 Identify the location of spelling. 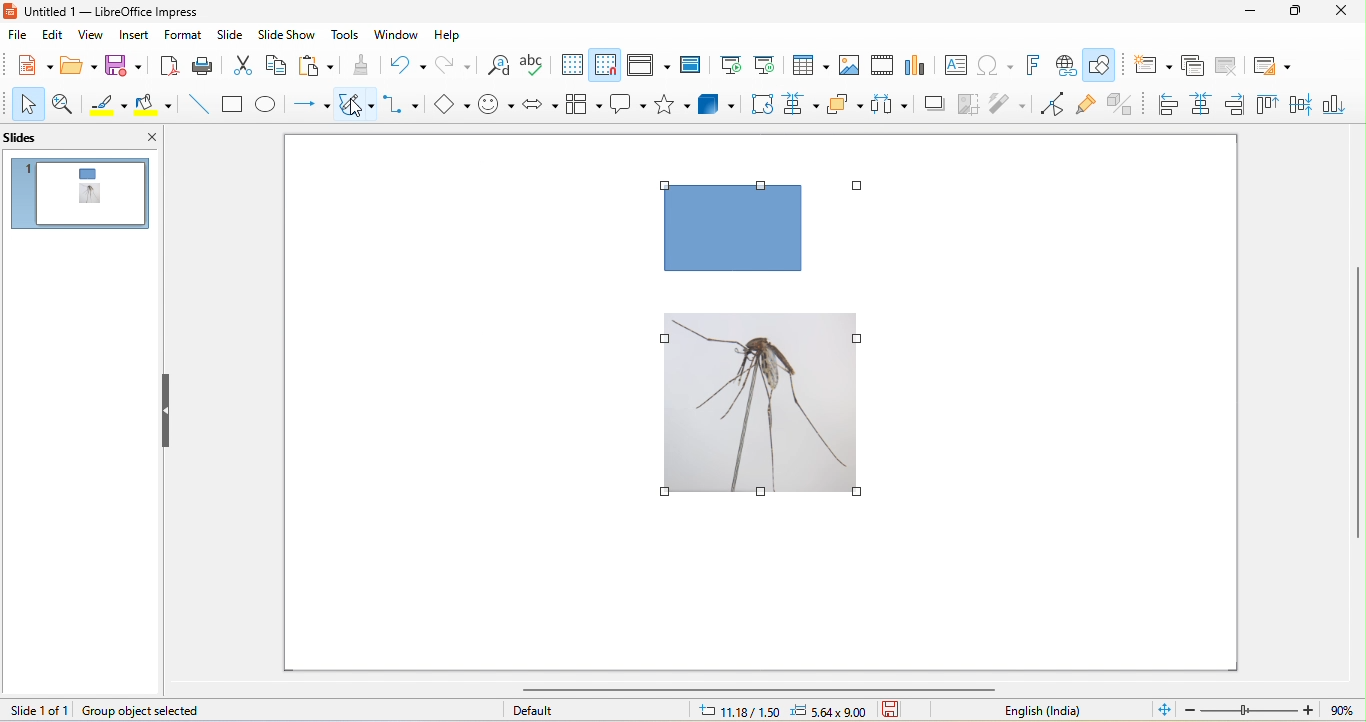
(537, 66).